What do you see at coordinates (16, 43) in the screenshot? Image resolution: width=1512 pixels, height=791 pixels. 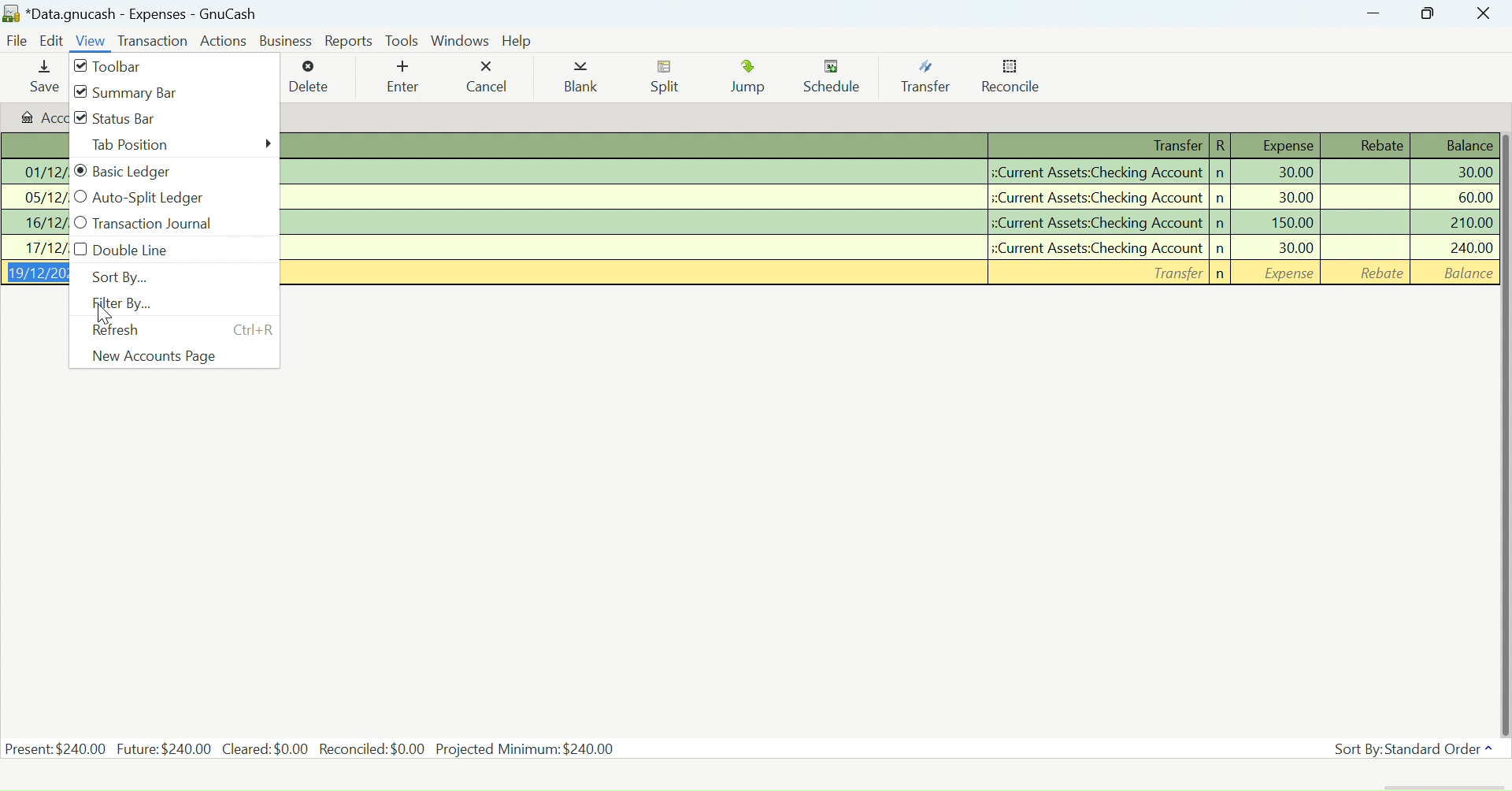 I see `File` at bounding box center [16, 43].